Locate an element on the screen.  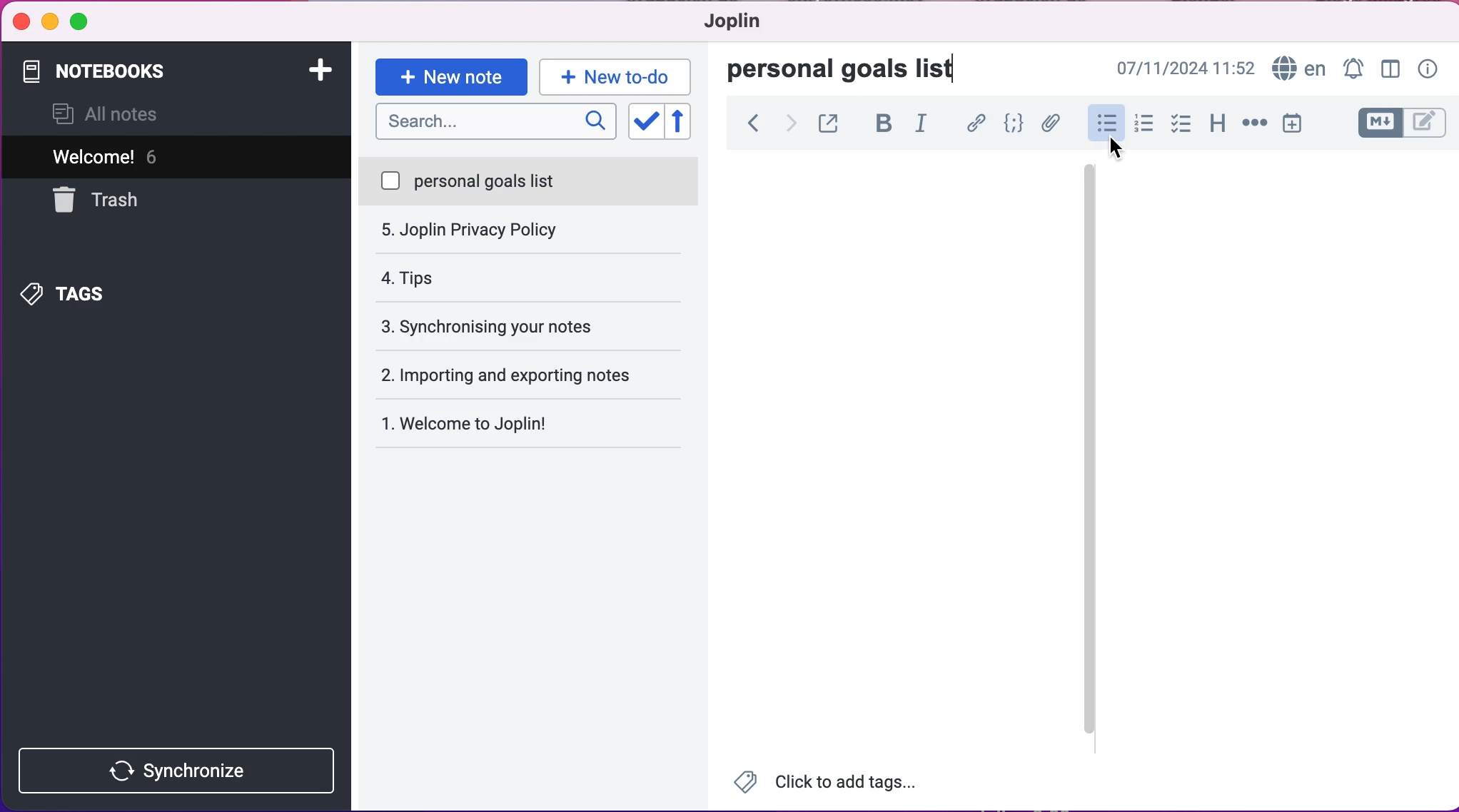
synchronising your notes is located at coordinates (530, 278).